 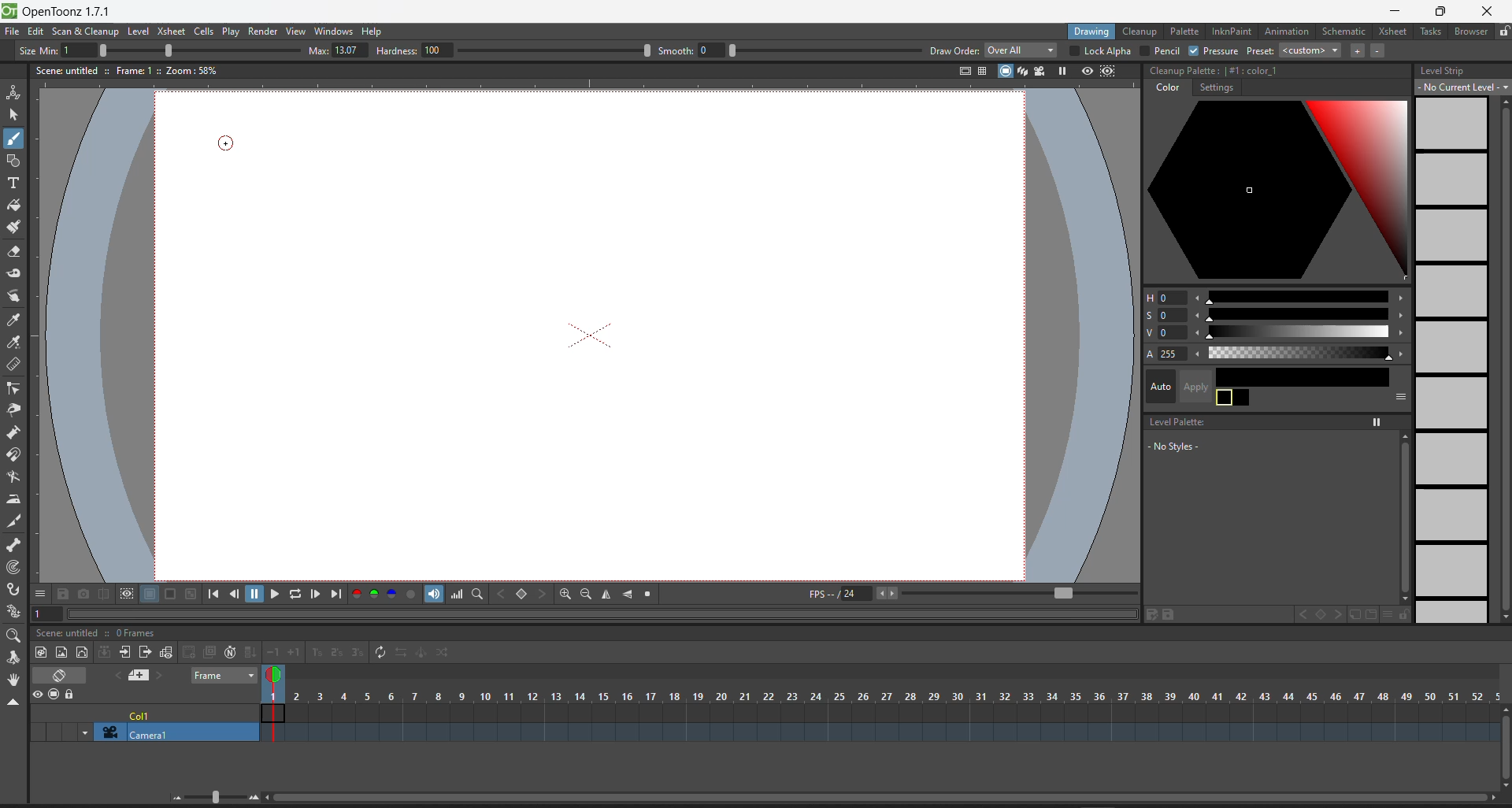 What do you see at coordinates (254, 798) in the screenshot?
I see `zoom in` at bounding box center [254, 798].